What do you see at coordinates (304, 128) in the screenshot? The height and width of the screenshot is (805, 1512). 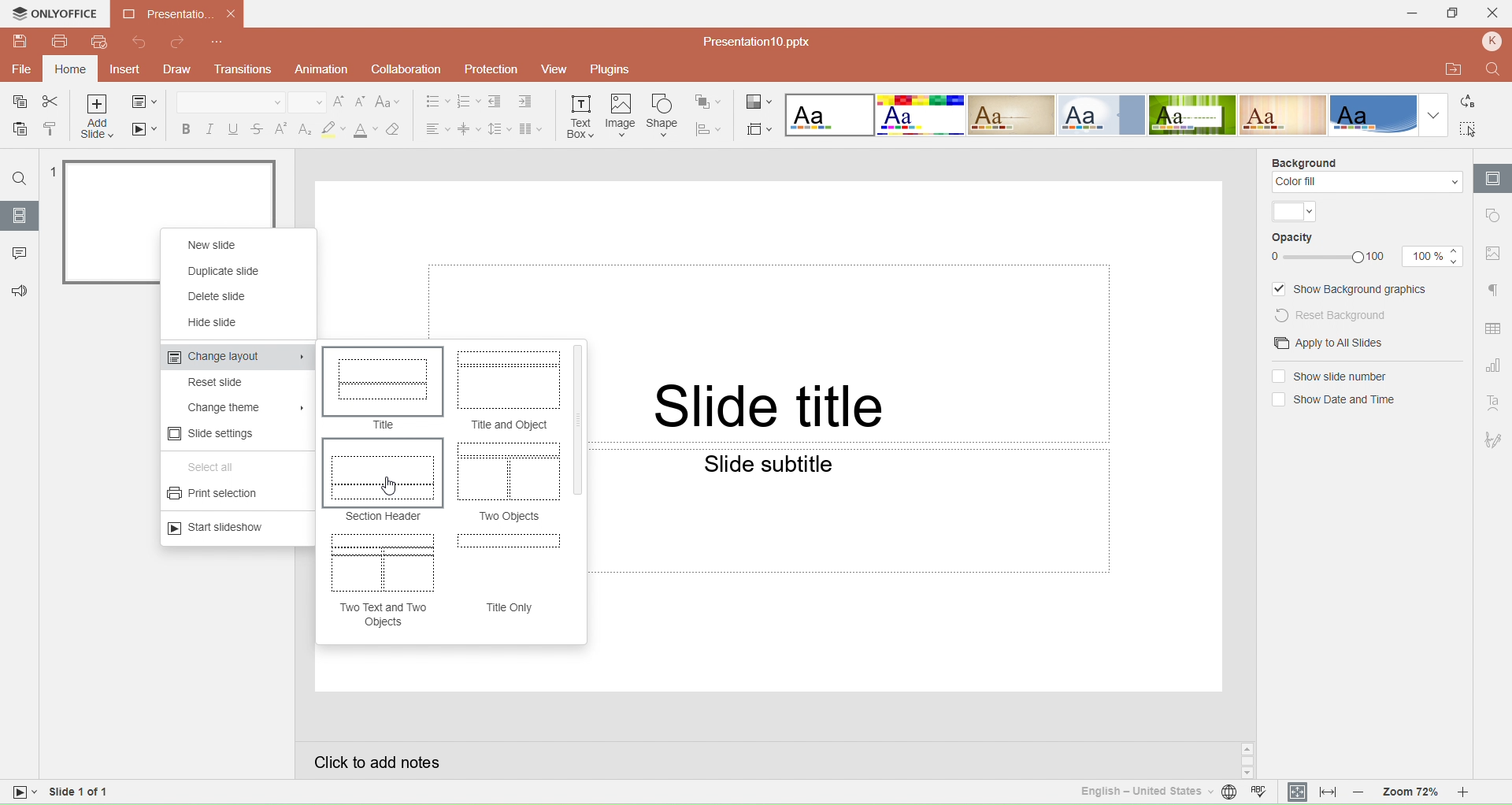 I see `Subscript` at bounding box center [304, 128].